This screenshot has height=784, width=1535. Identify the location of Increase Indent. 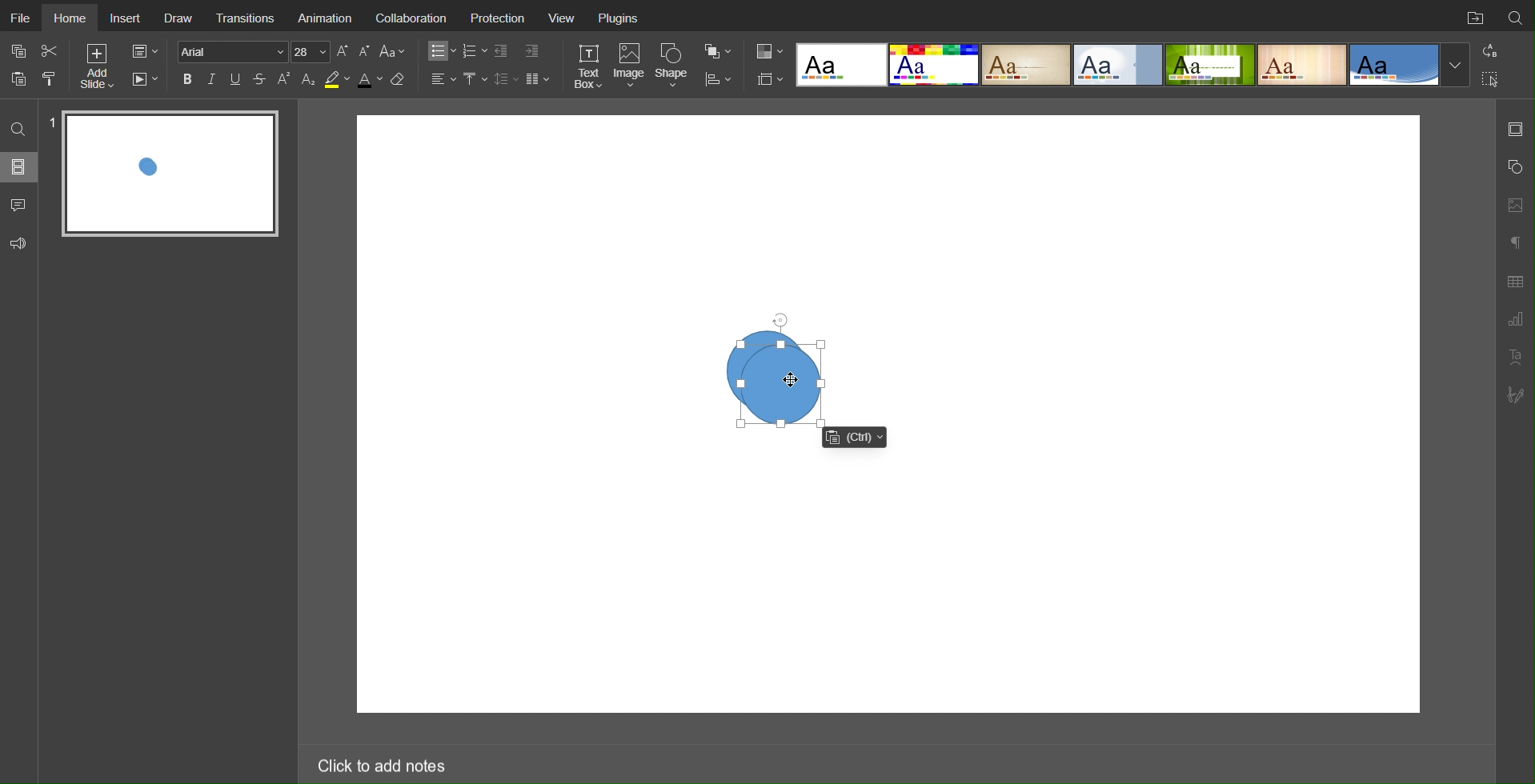
(531, 52).